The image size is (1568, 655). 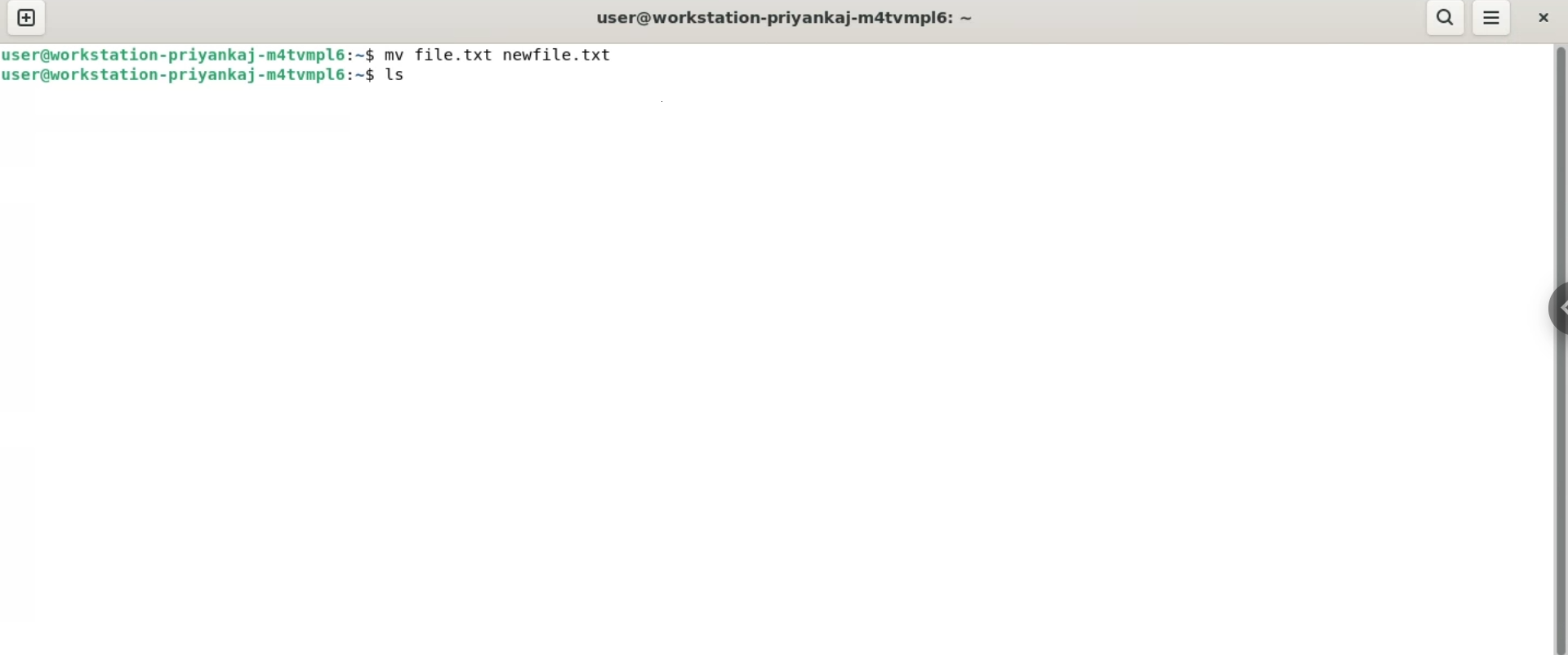 I want to click on close, so click(x=1543, y=16).